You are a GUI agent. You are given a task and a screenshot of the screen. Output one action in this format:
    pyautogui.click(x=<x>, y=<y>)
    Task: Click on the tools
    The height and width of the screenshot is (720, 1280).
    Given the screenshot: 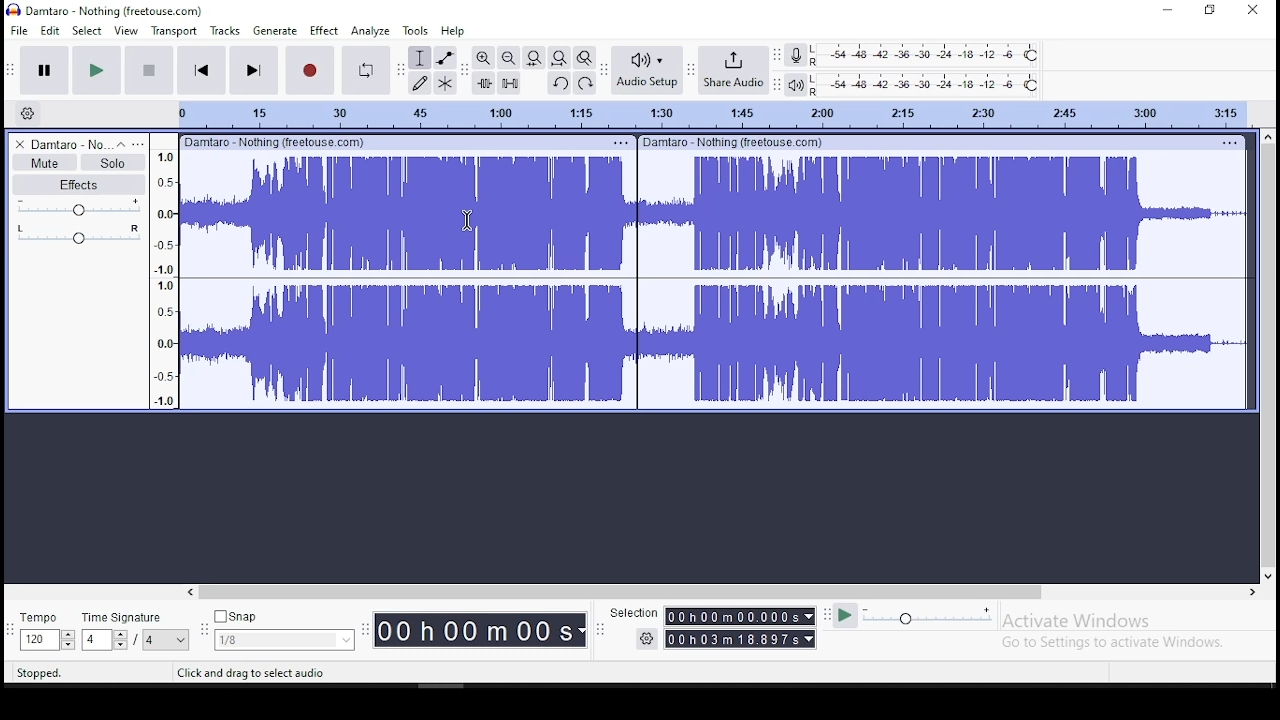 What is the action you would take?
    pyautogui.click(x=413, y=30)
    